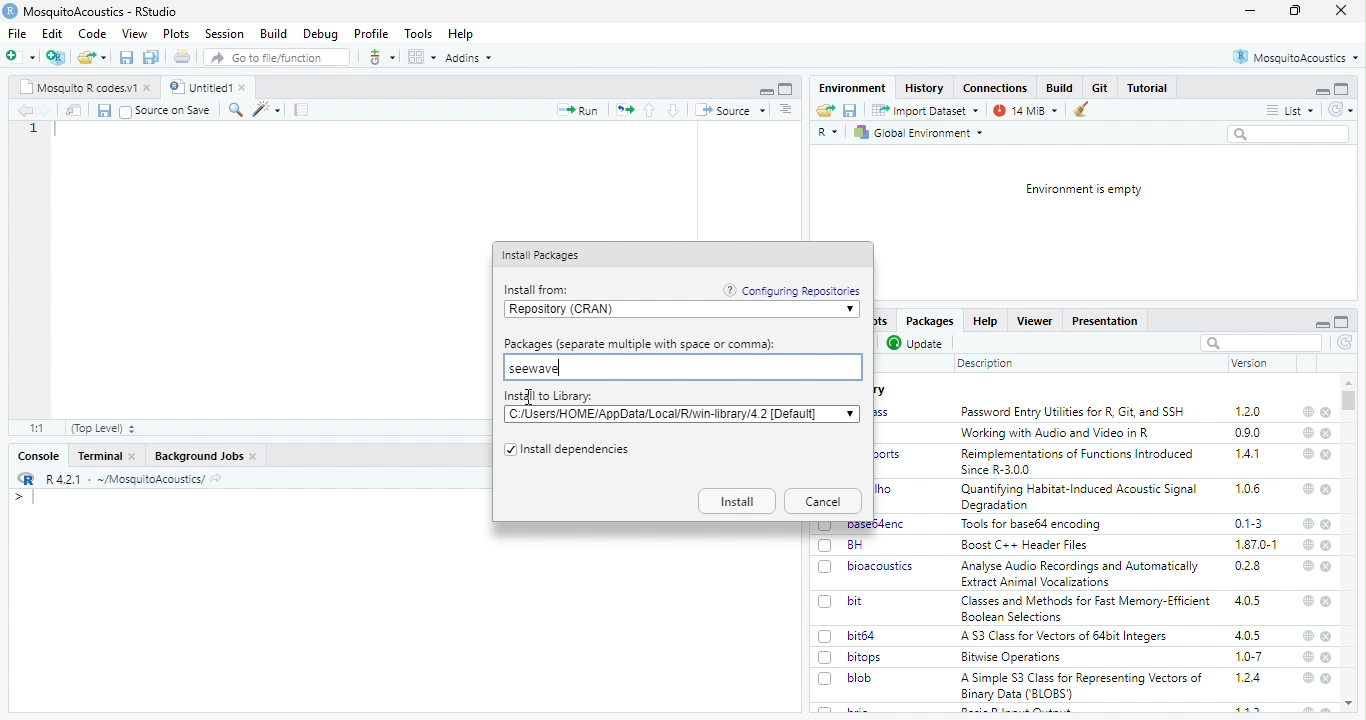 Image resolution: width=1366 pixels, height=720 pixels. I want to click on searchbox, so click(1291, 135).